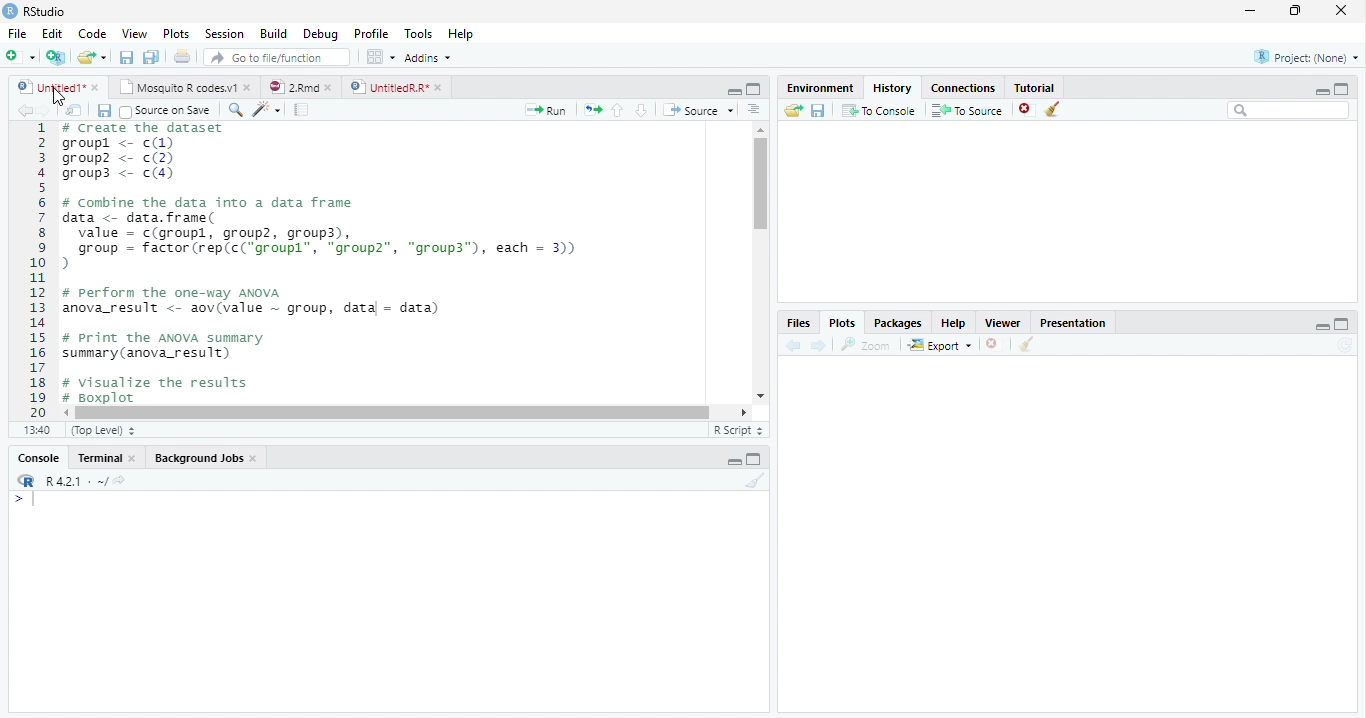  What do you see at coordinates (361, 263) in the screenshot?
I see `# Create the dataset groupl <- c(1)groupz <- c(2)groups <- c(4)# Conbine the data into a data framedata <- data. frame(value = c(groupl, group2, group3),group = factor (rep(c("groupl”, "group", "group3”), each = 3)))# perform the one-way ANOVAanova_result <- aov(value ~ group, datal - data)# Print the ANOVA summarysummary (anova_result)+ visualize the results4 Boxplot` at bounding box center [361, 263].